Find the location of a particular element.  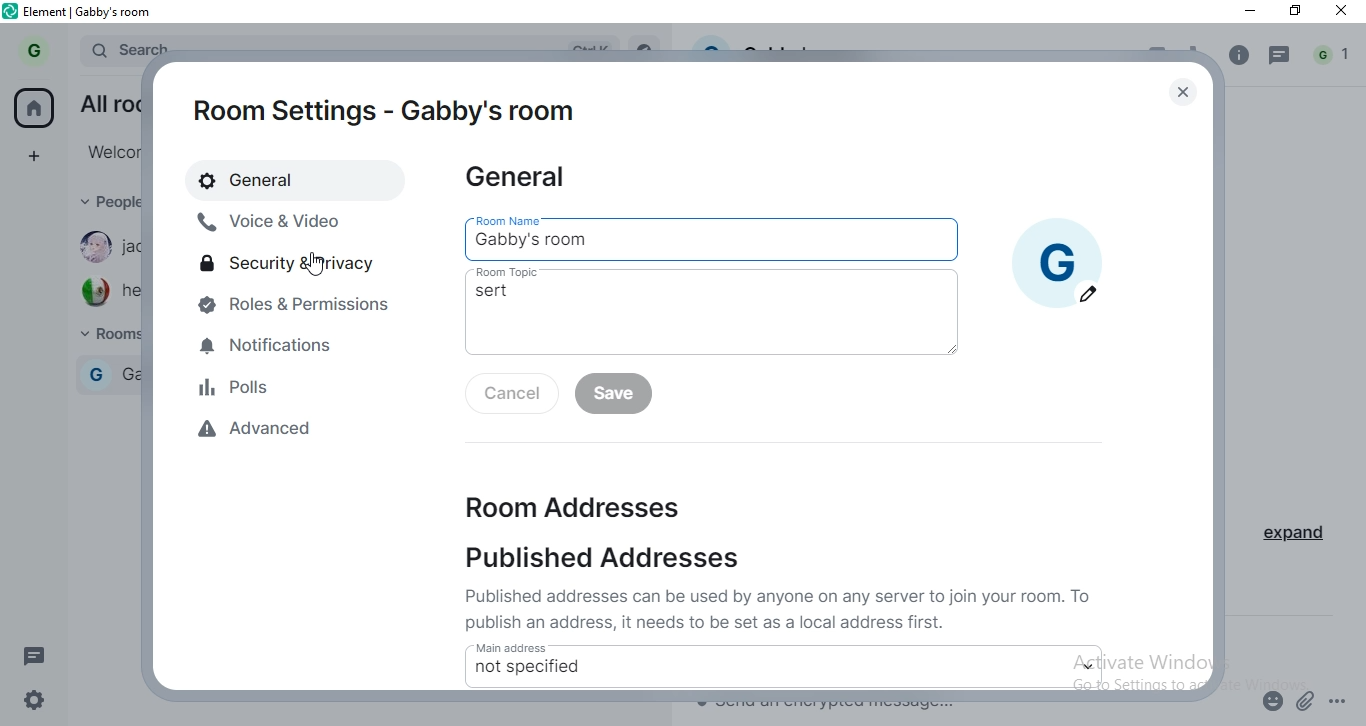

emoji is located at coordinates (1270, 705).